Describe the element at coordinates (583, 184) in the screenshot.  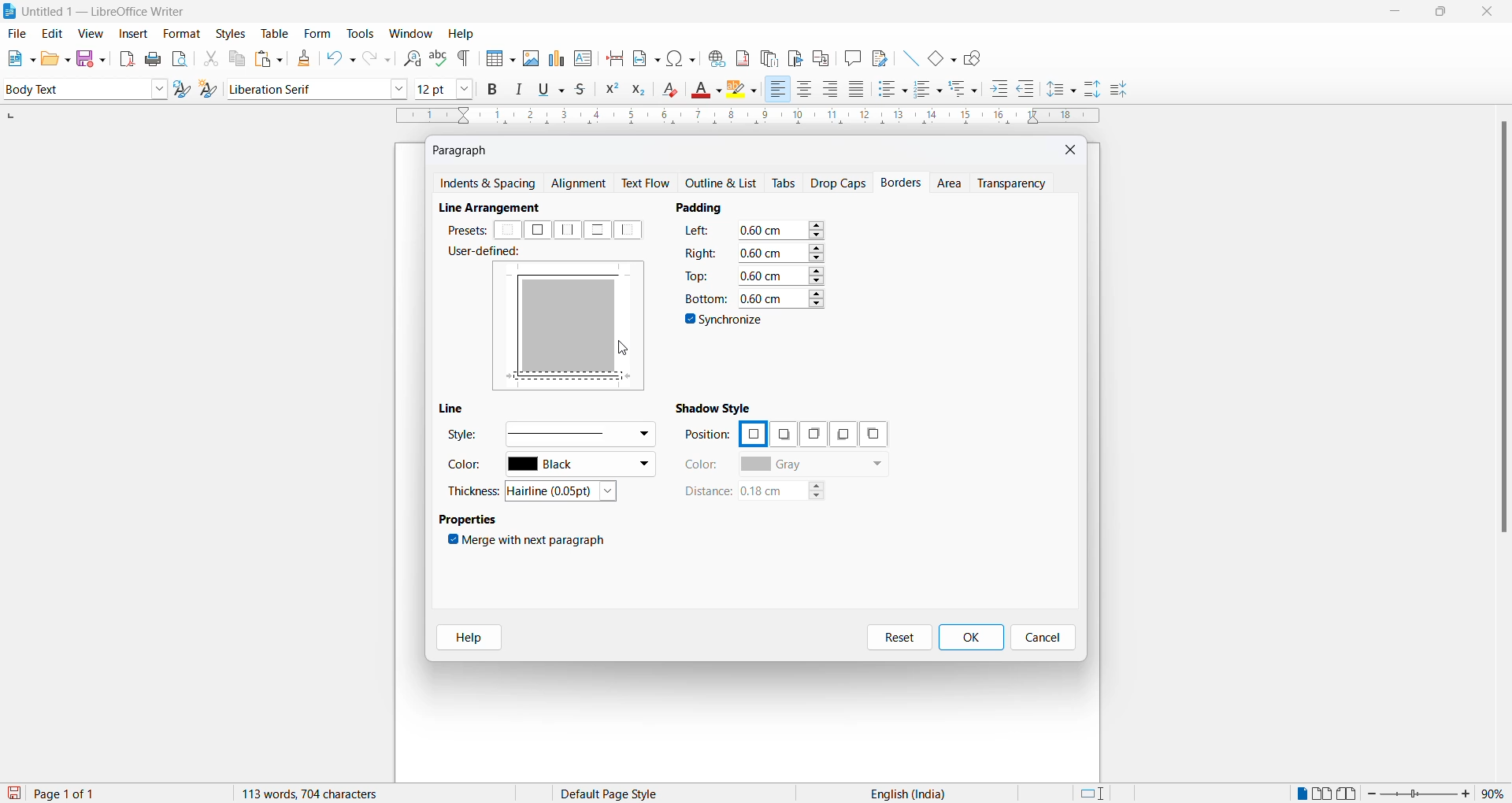
I see `alignment` at that location.